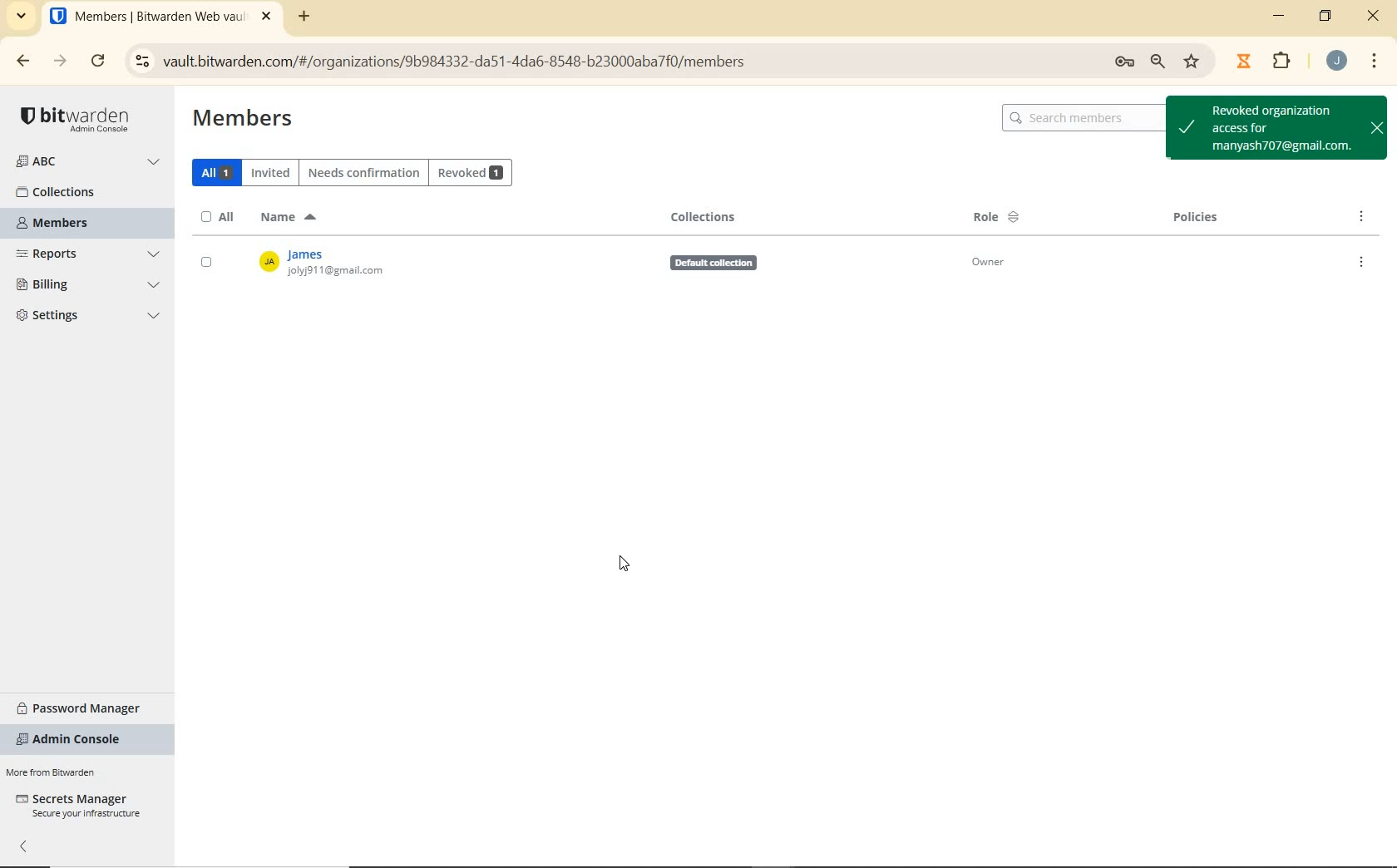  What do you see at coordinates (214, 171) in the screenshot?
I see `ALL` at bounding box center [214, 171].